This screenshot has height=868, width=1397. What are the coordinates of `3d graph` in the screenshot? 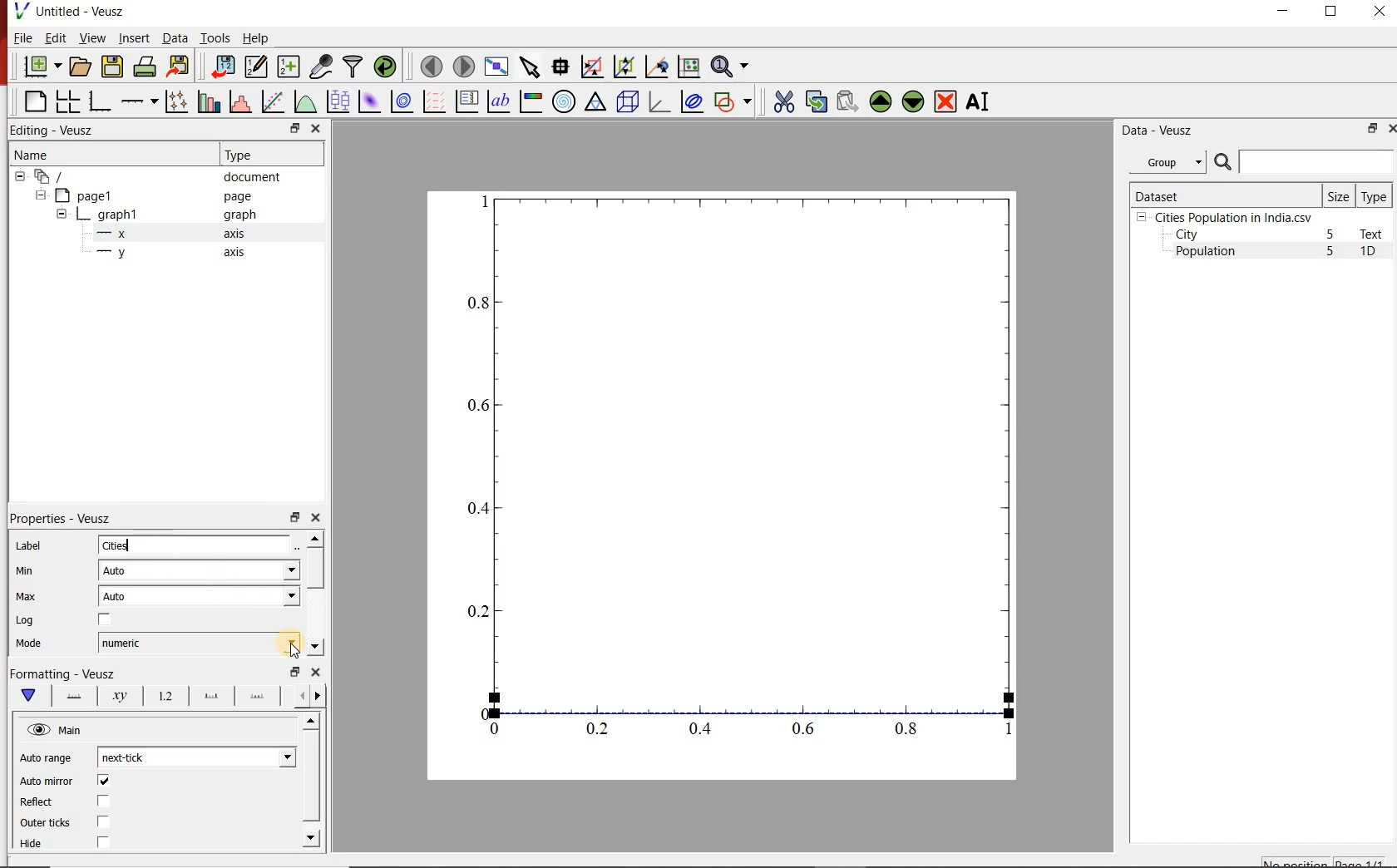 It's located at (658, 101).